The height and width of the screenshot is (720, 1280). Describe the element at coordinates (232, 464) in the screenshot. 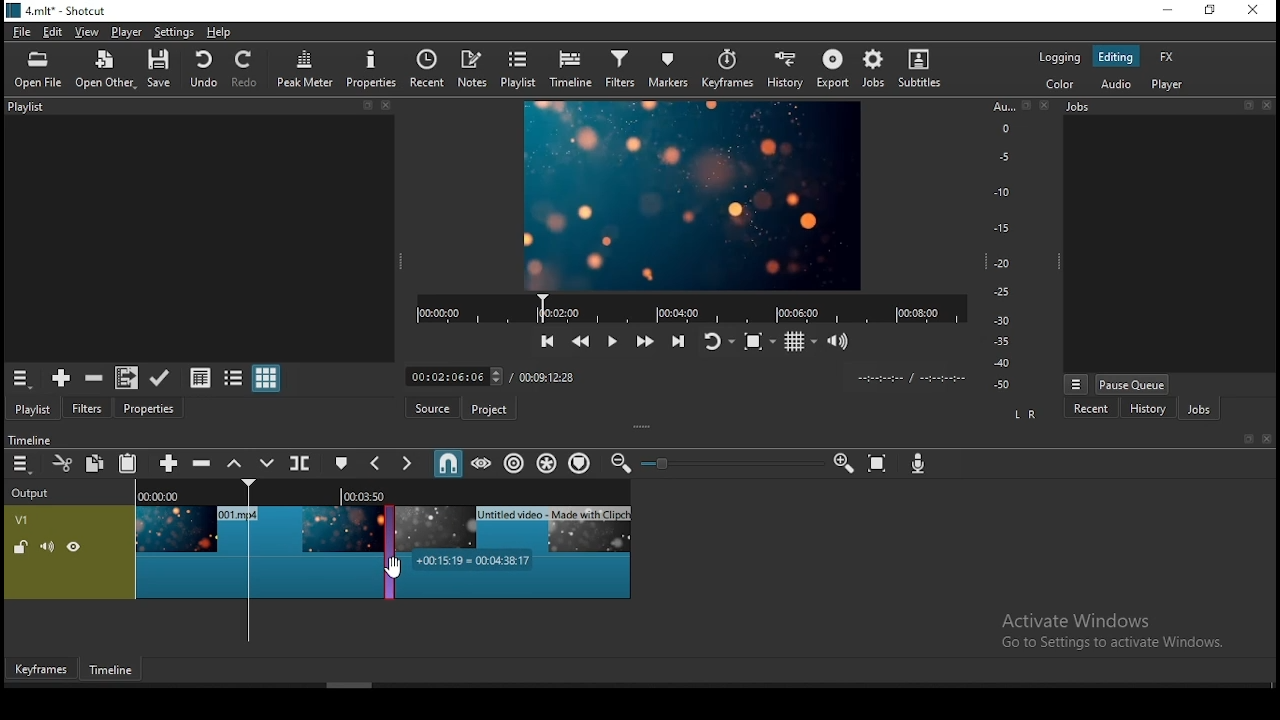

I see `lift` at that location.